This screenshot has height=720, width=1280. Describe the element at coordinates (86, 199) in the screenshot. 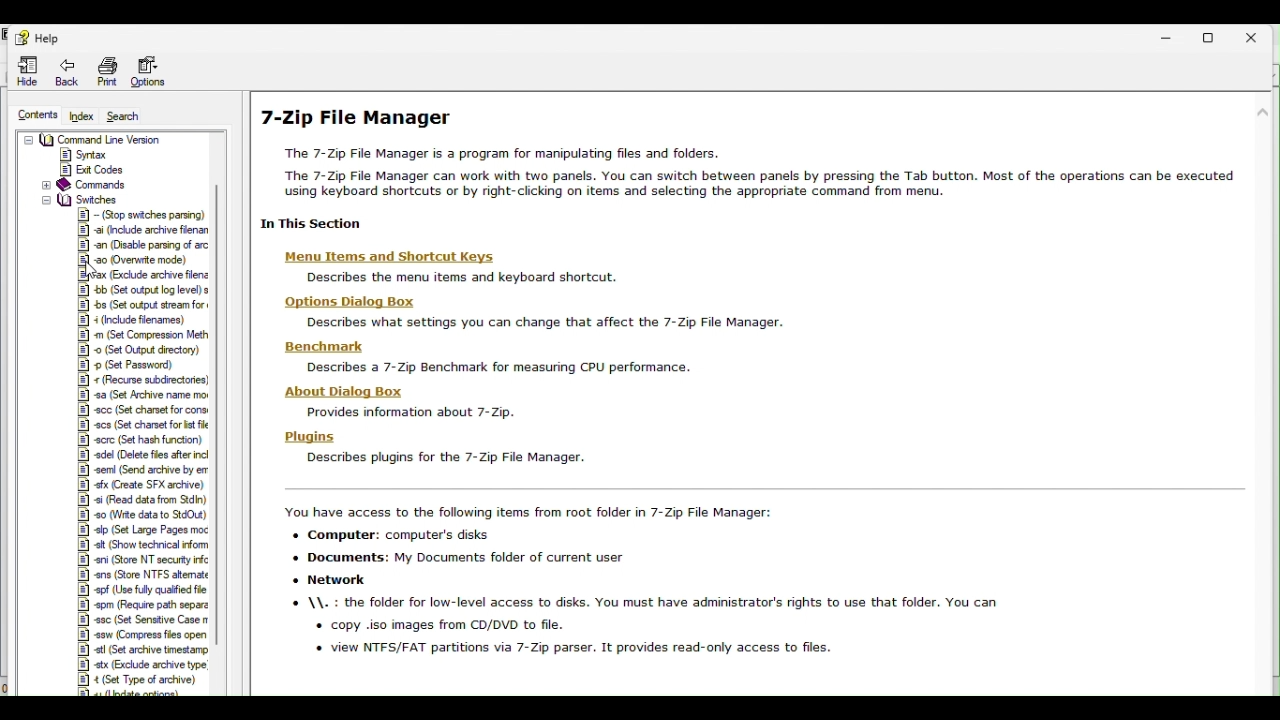

I see `switches` at that location.